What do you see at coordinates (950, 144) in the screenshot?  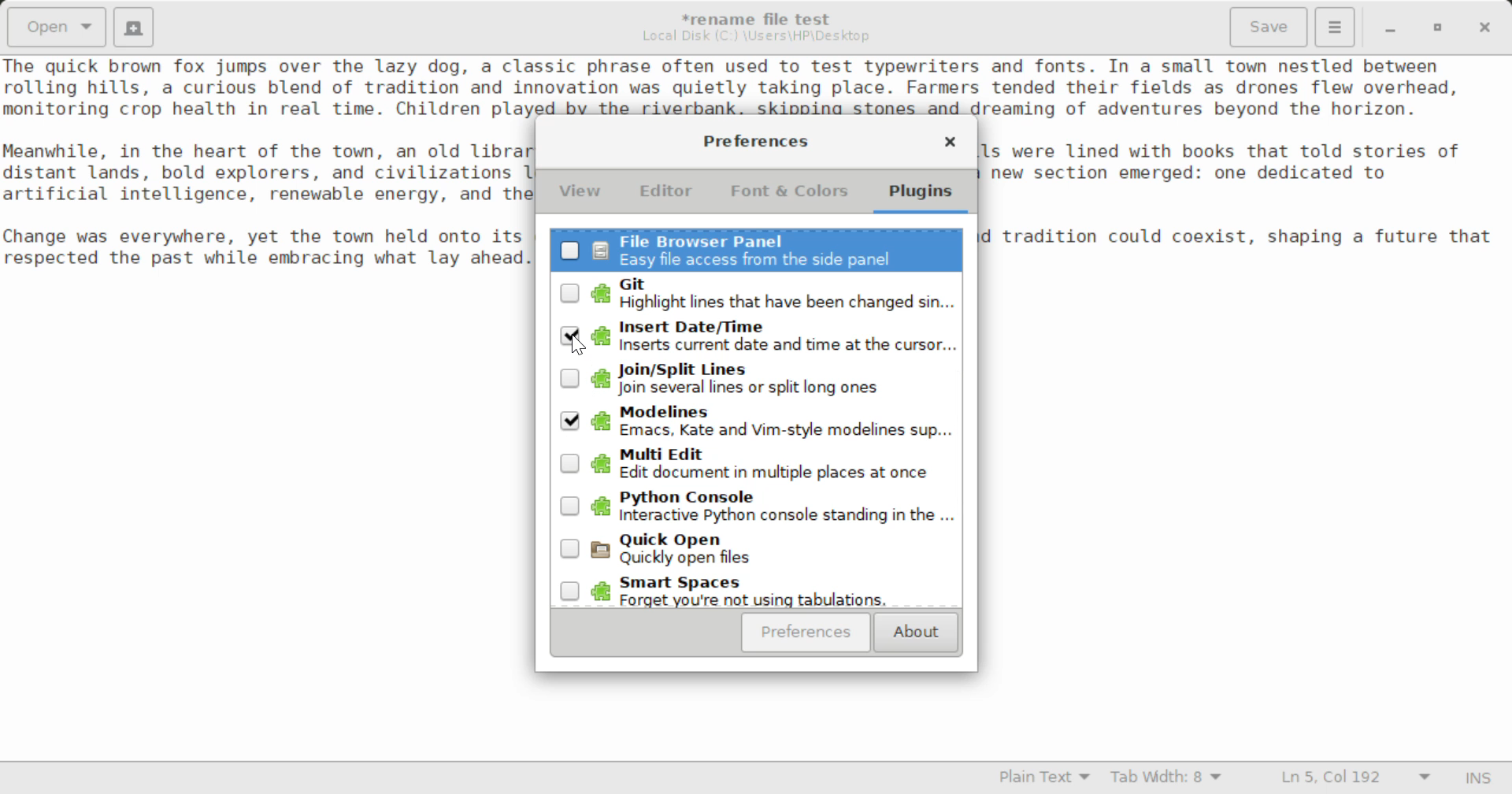 I see `Close Window` at bounding box center [950, 144].